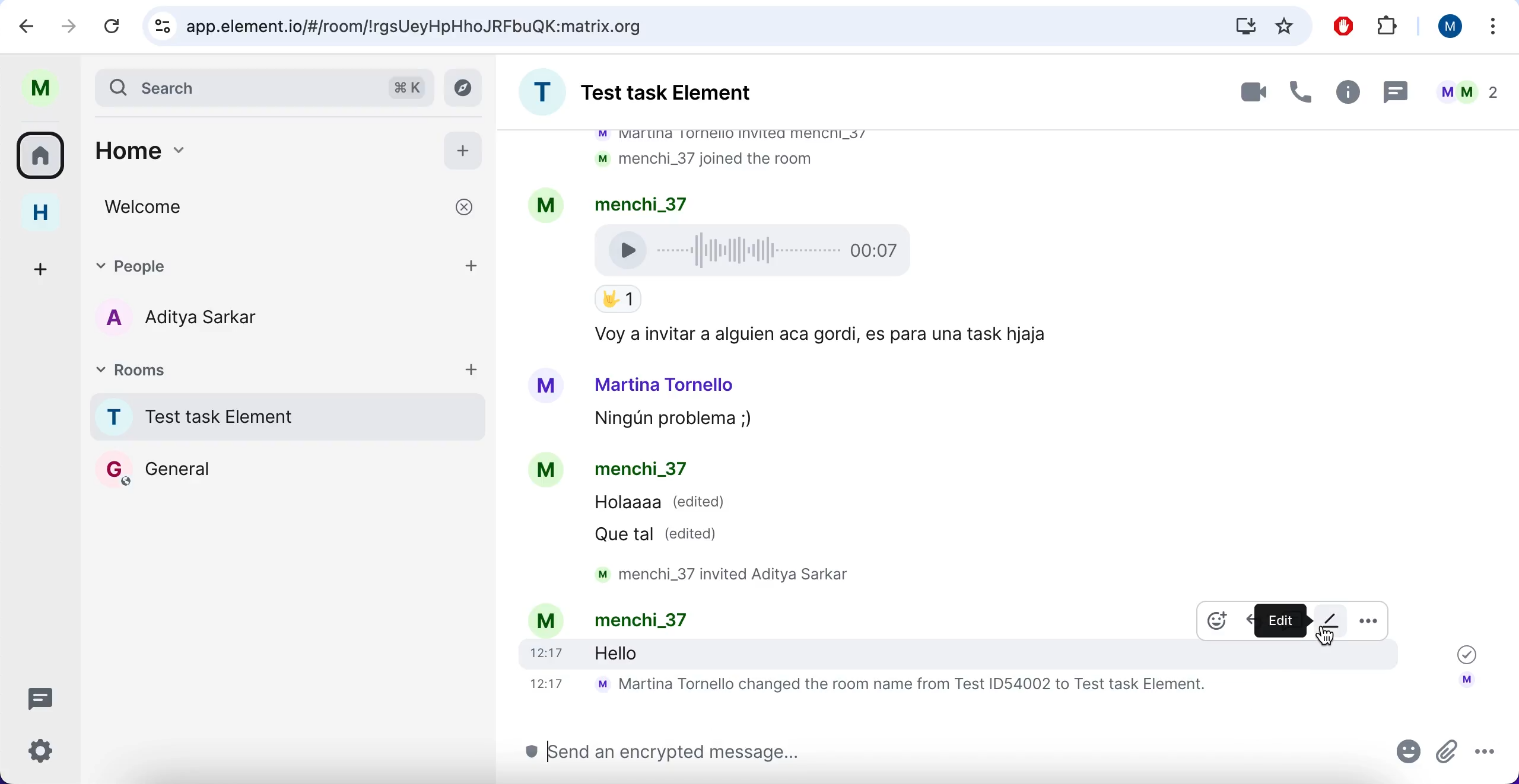  What do you see at coordinates (263, 86) in the screenshot?
I see `search bar` at bounding box center [263, 86].